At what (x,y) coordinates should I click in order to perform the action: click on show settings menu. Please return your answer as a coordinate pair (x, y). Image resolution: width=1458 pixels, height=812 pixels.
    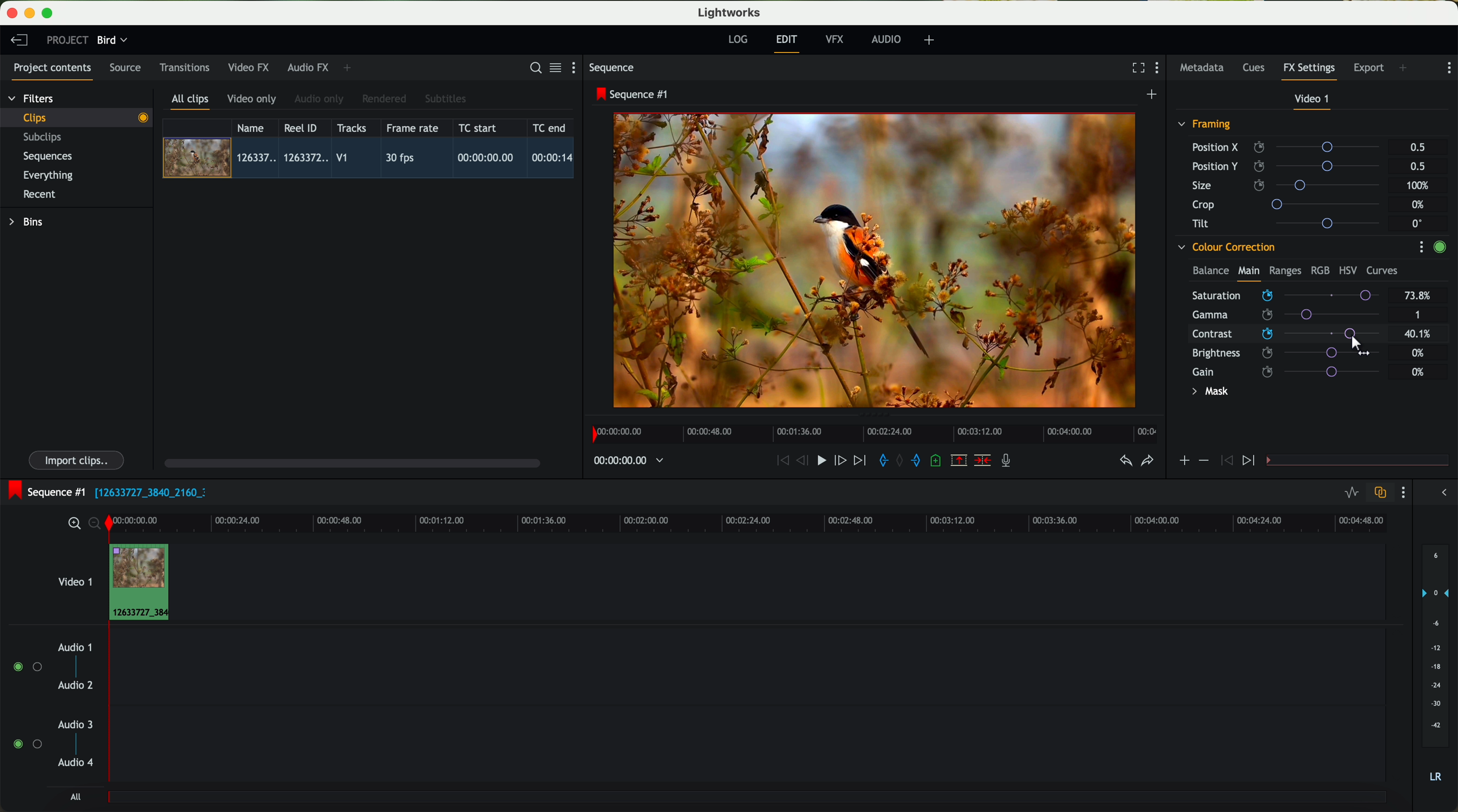
    Looking at the image, I should click on (1421, 247).